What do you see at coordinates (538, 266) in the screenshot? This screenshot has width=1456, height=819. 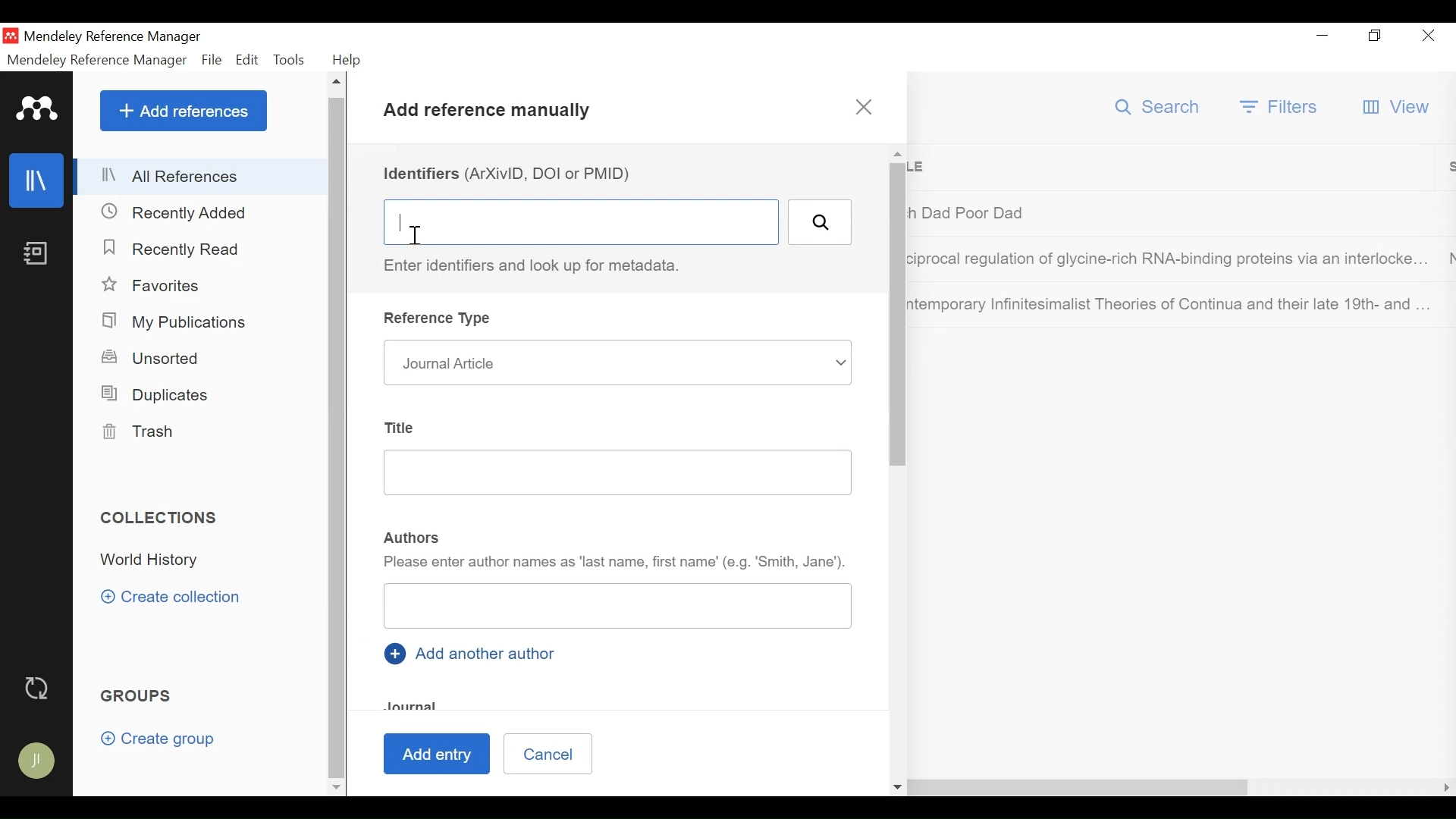 I see `Enter Identifiers and look up to metadata` at bounding box center [538, 266].